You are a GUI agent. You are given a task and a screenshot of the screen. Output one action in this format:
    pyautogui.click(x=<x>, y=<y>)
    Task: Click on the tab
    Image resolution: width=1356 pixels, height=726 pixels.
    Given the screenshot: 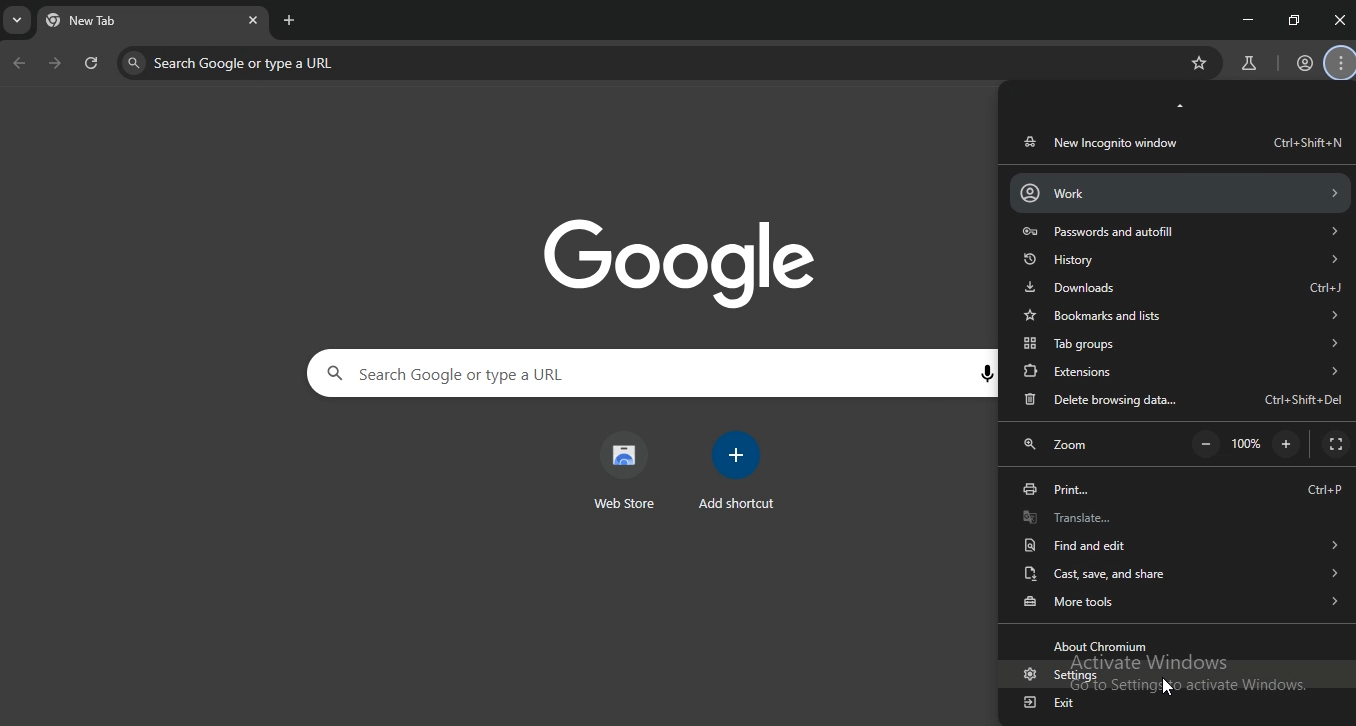 What is the action you would take?
    pyautogui.click(x=113, y=23)
    